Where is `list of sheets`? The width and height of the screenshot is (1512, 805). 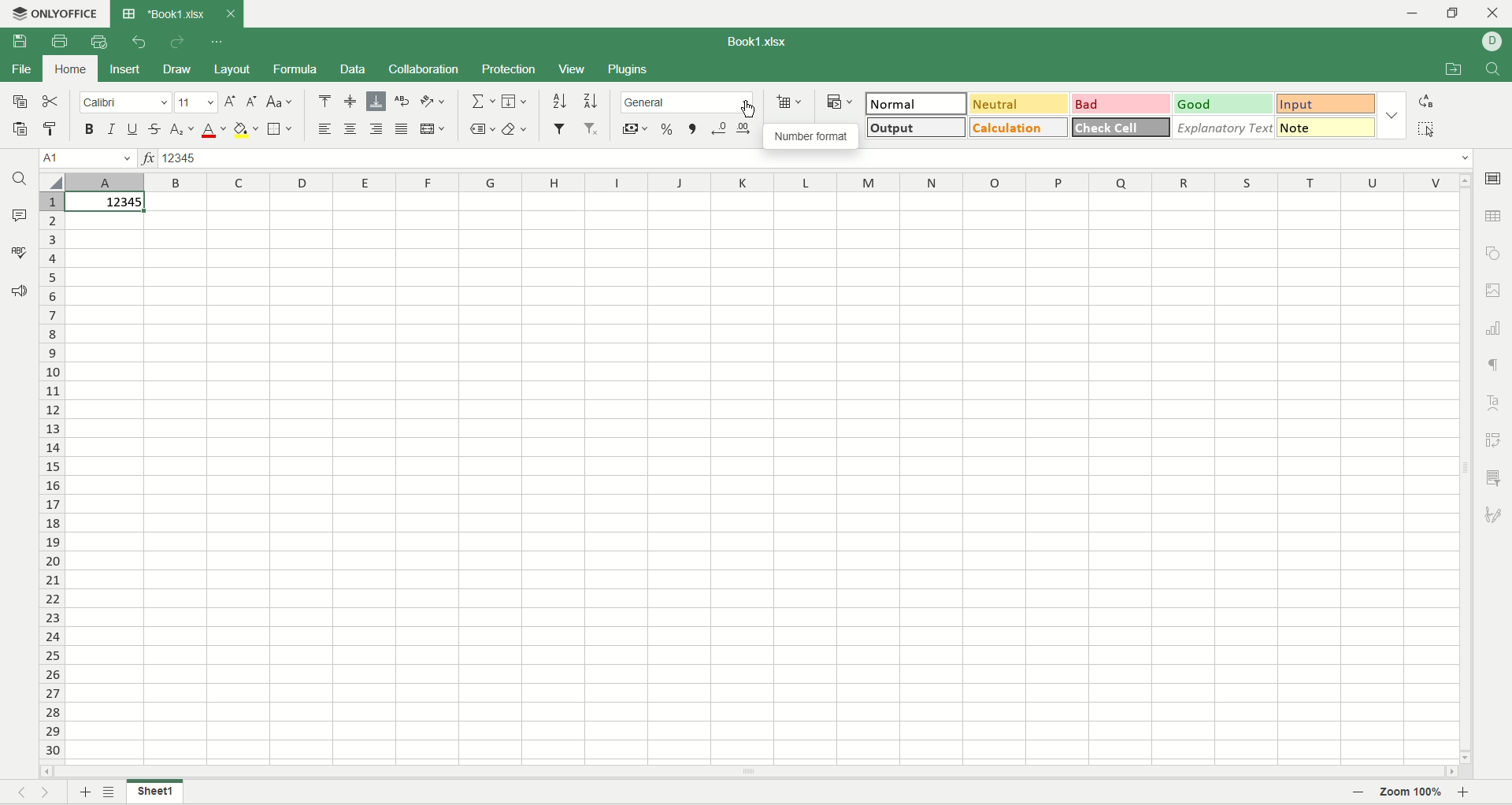 list of sheets is located at coordinates (112, 792).